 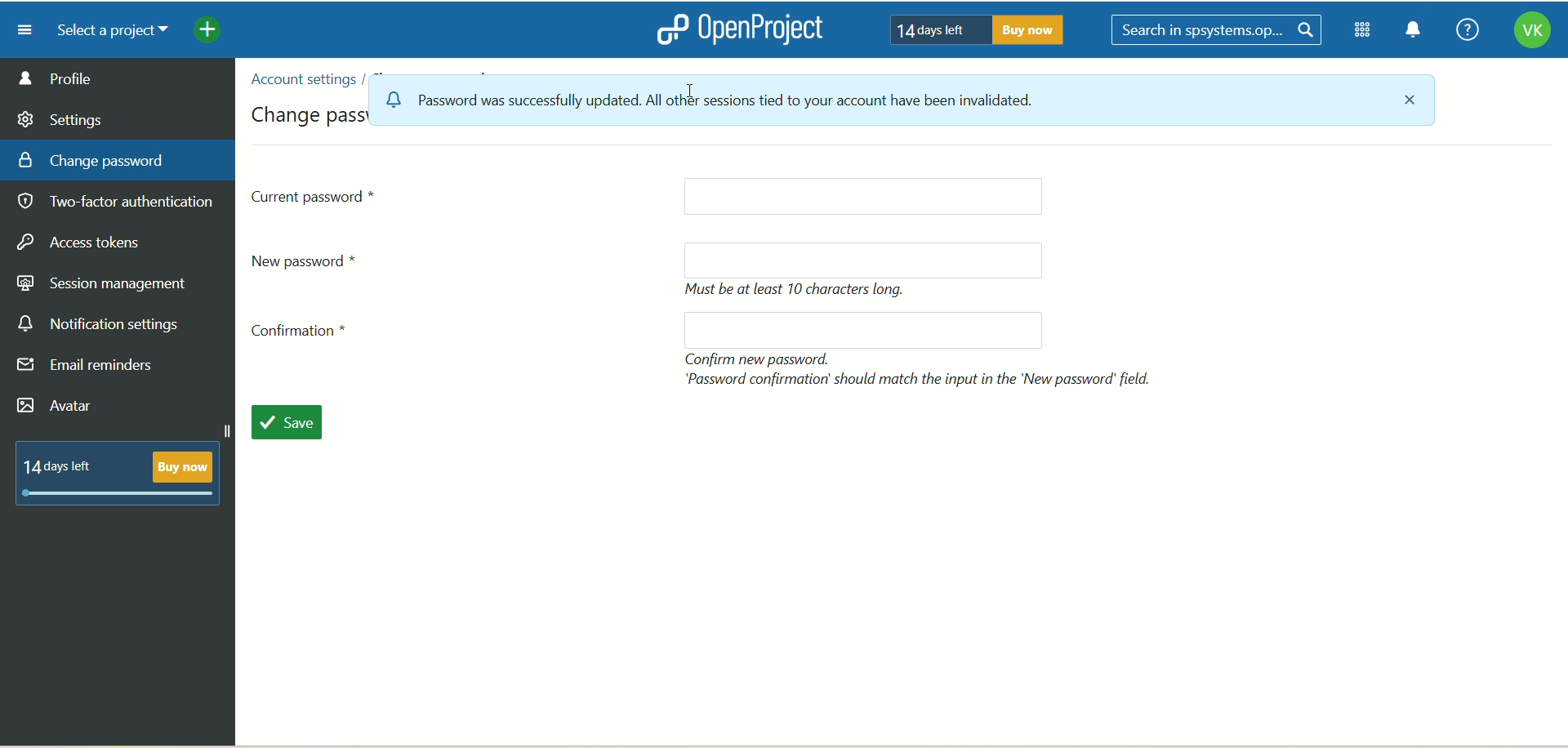 I want to click on module, so click(x=1365, y=30).